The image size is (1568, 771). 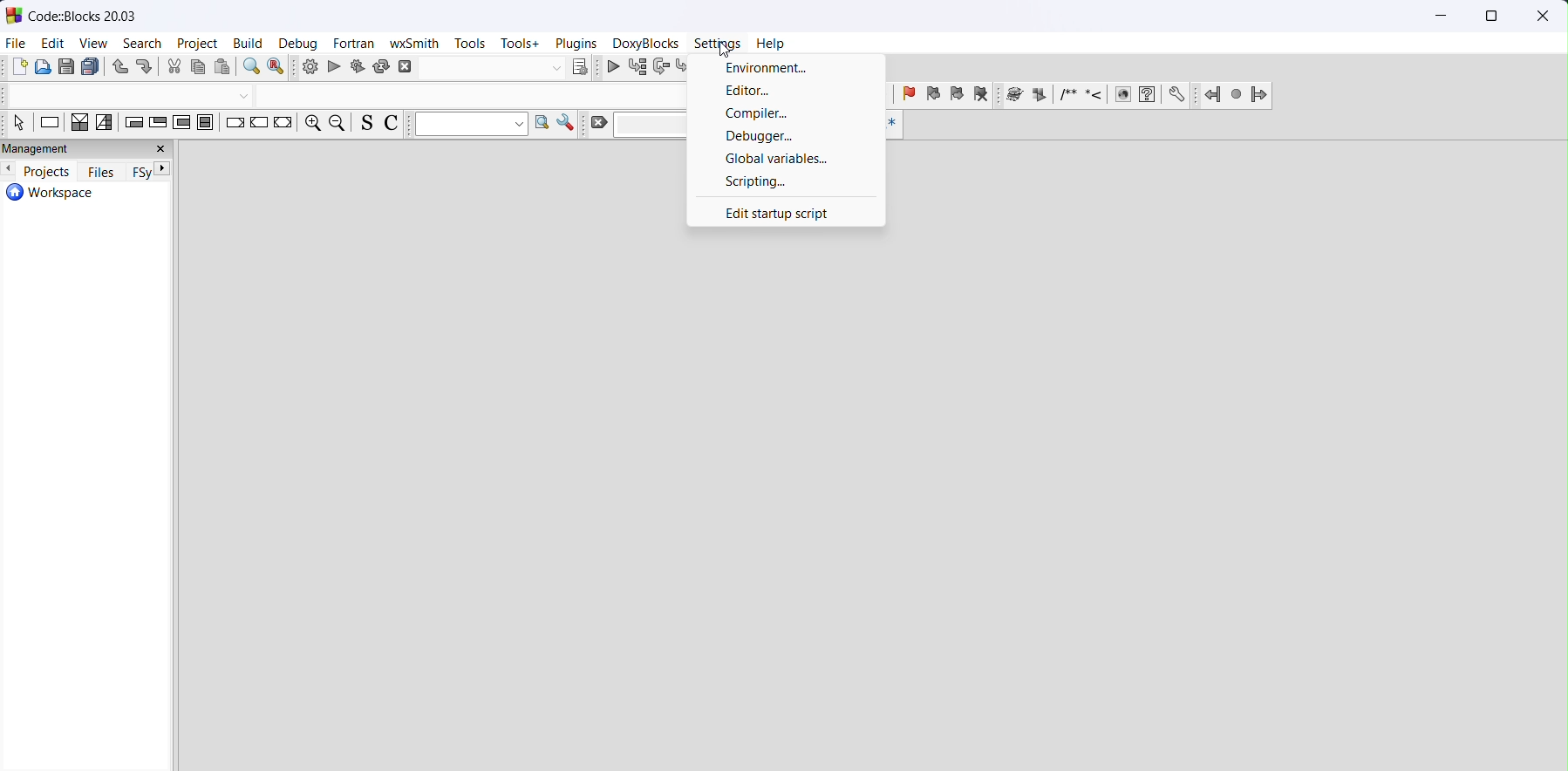 I want to click on selection, so click(x=107, y=124).